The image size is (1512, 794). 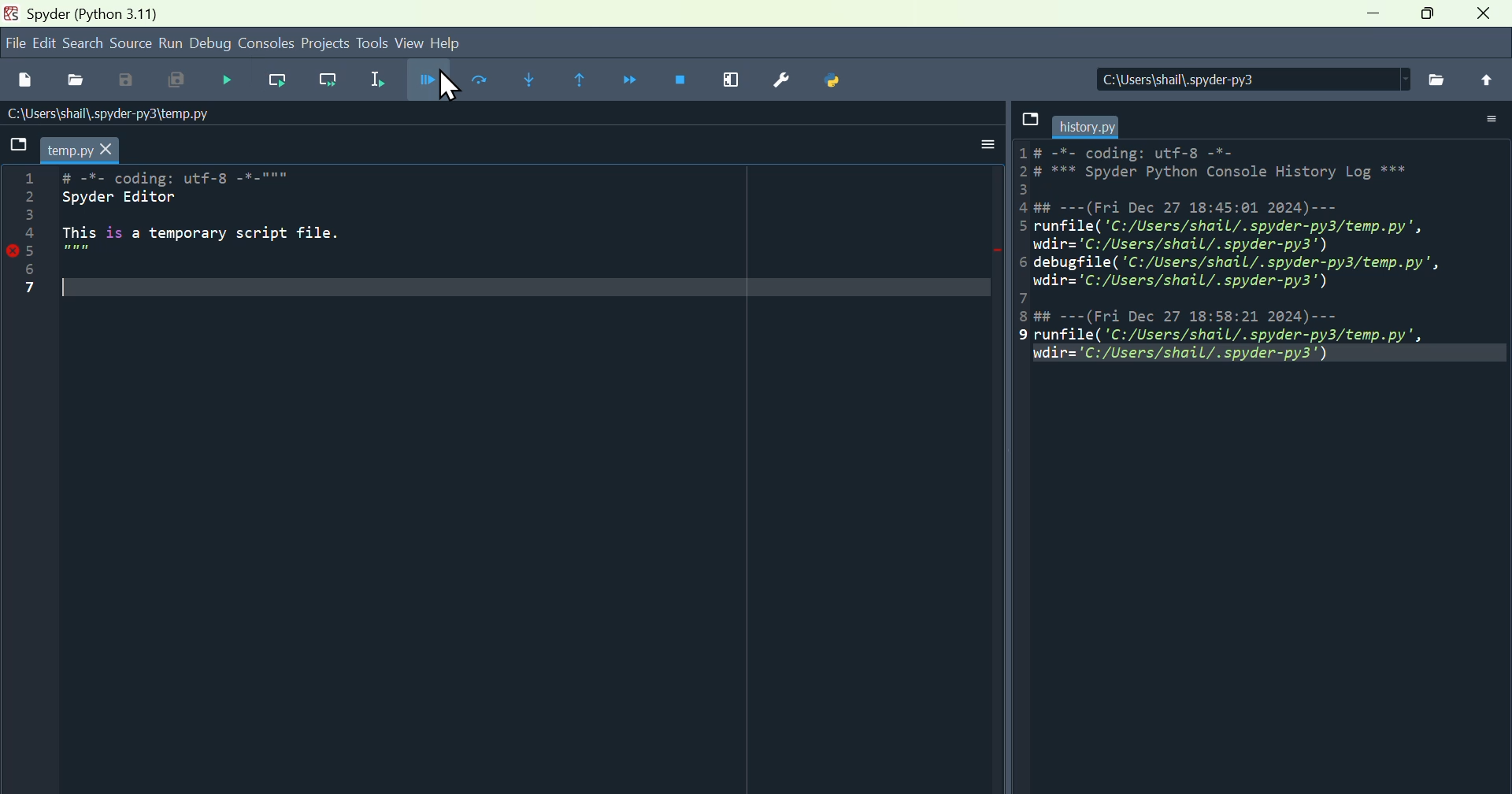 I want to click on Run current line, so click(x=280, y=80).